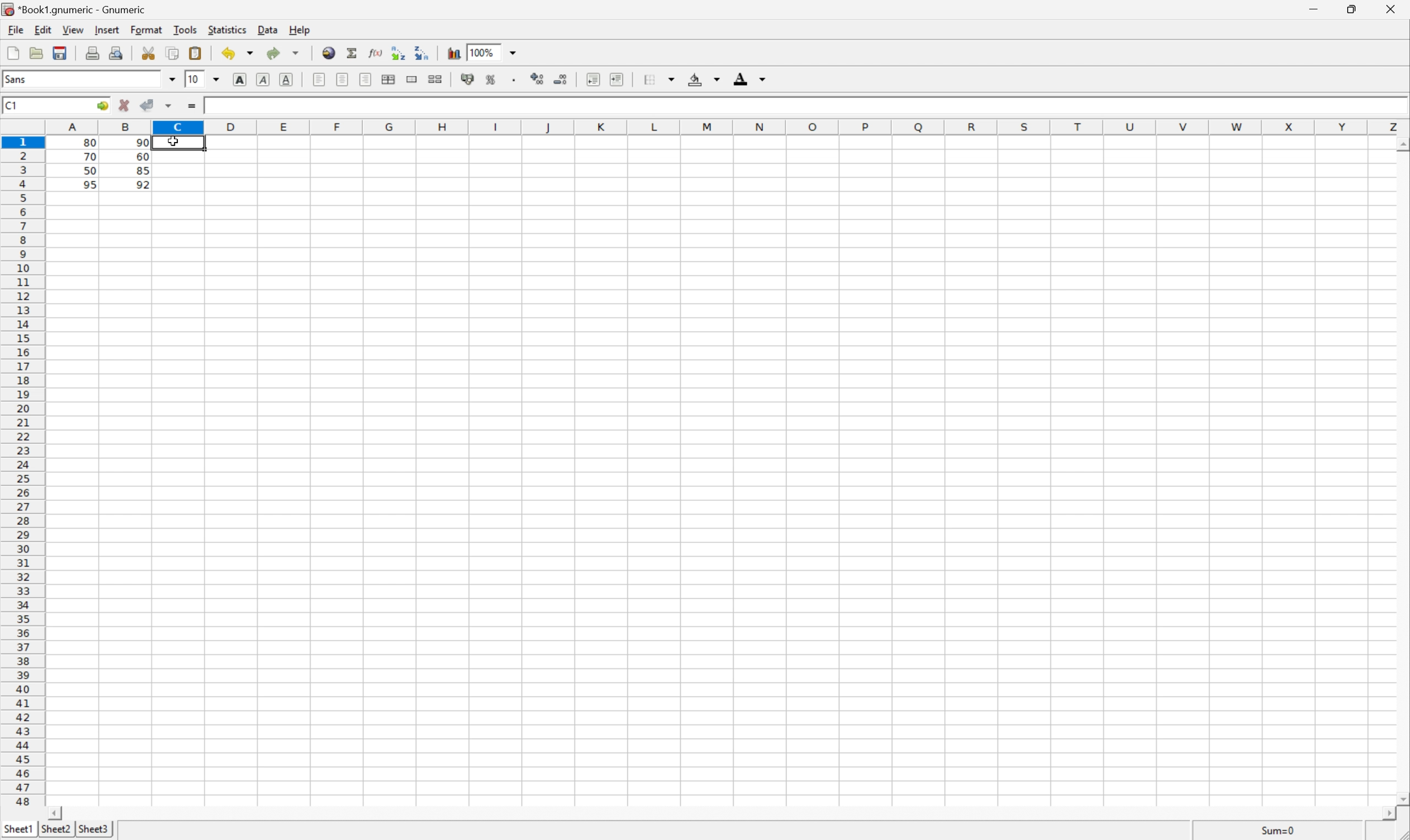 Image resolution: width=1410 pixels, height=840 pixels. What do you see at coordinates (329, 51) in the screenshot?
I see `Insert hyperlink` at bounding box center [329, 51].